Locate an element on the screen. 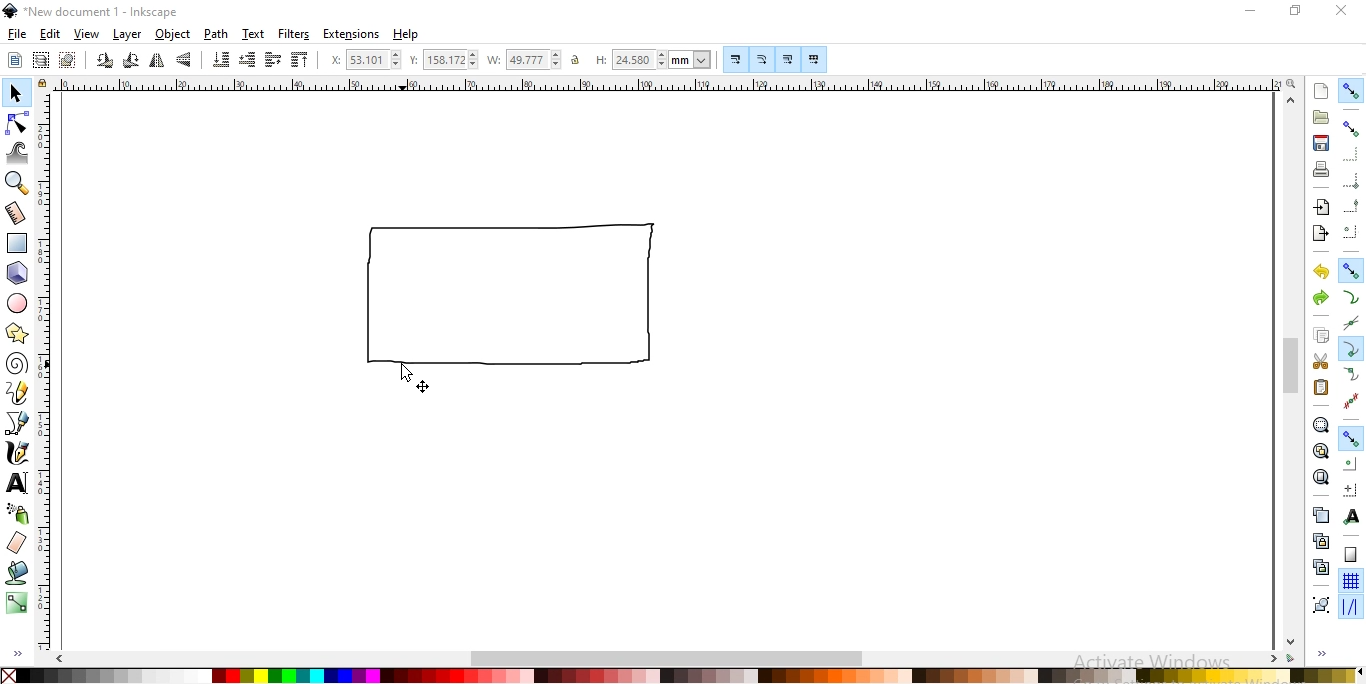 The height and width of the screenshot is (684, 1366). horizontal coordinate of selection is located at coordinates (363, 59).